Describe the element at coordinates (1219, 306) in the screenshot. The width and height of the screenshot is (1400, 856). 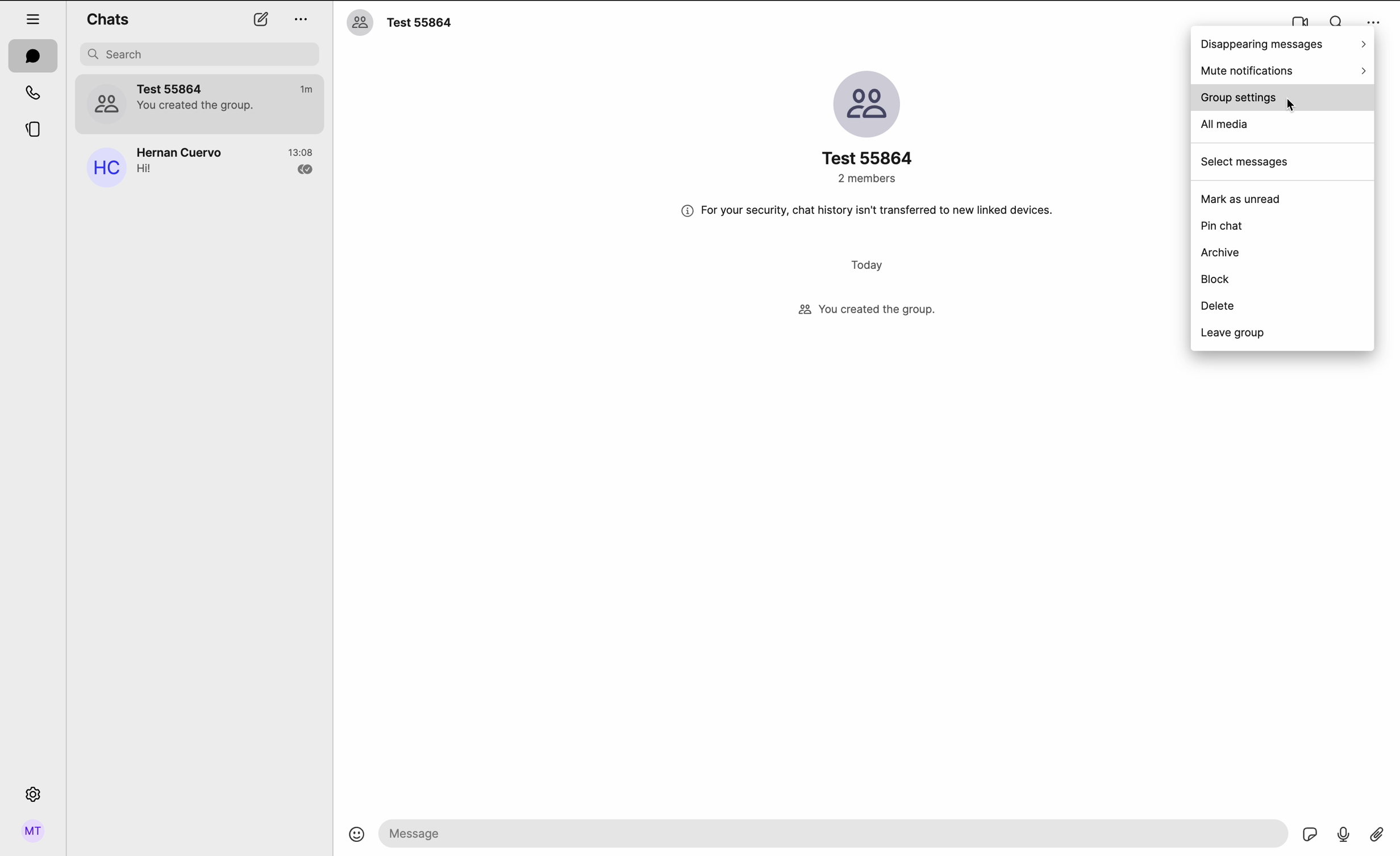
I see `delete` at that location.